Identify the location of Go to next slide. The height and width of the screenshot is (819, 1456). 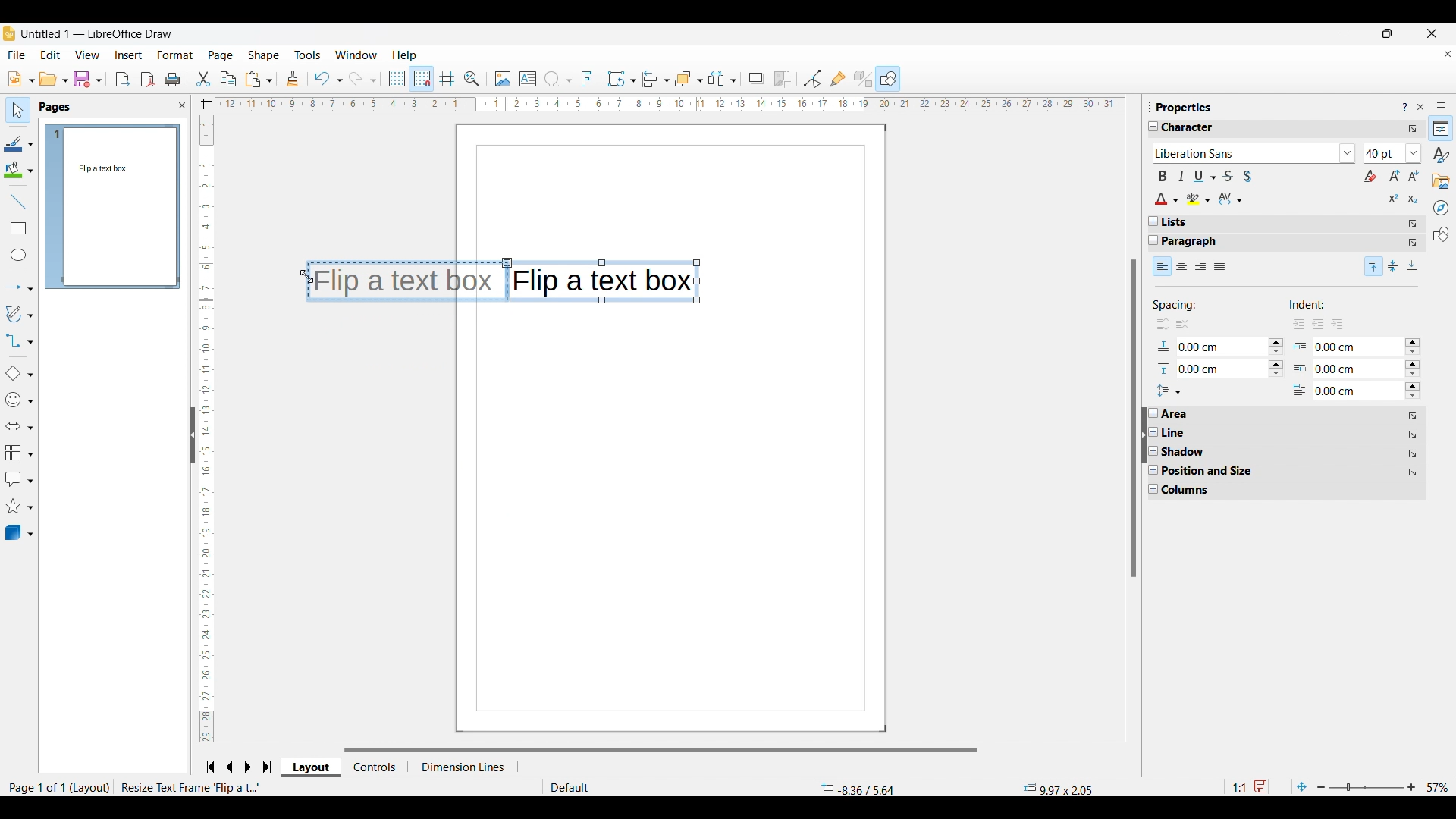
(247, 767).